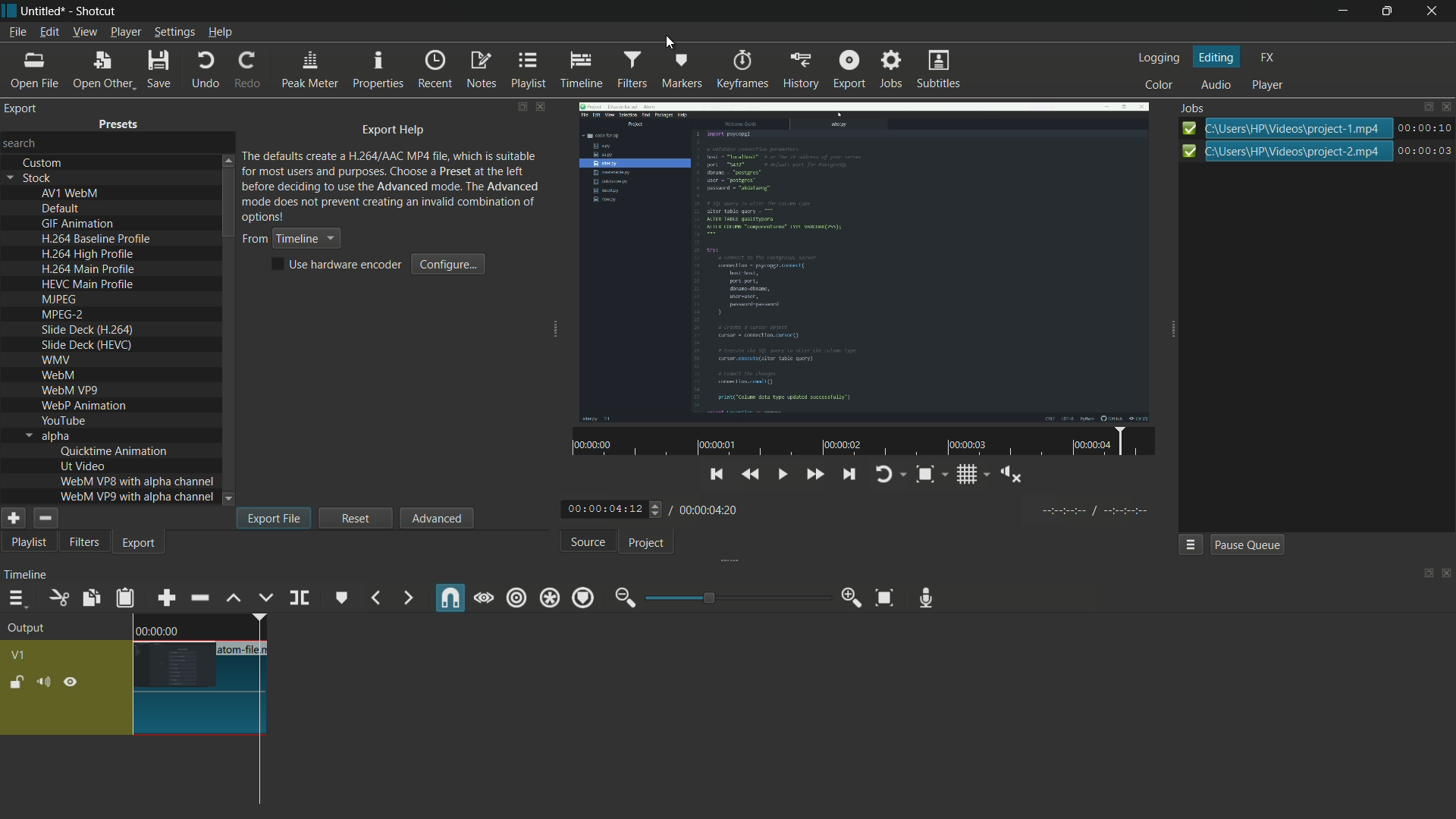  I want to click on file name, so click(244, 650).